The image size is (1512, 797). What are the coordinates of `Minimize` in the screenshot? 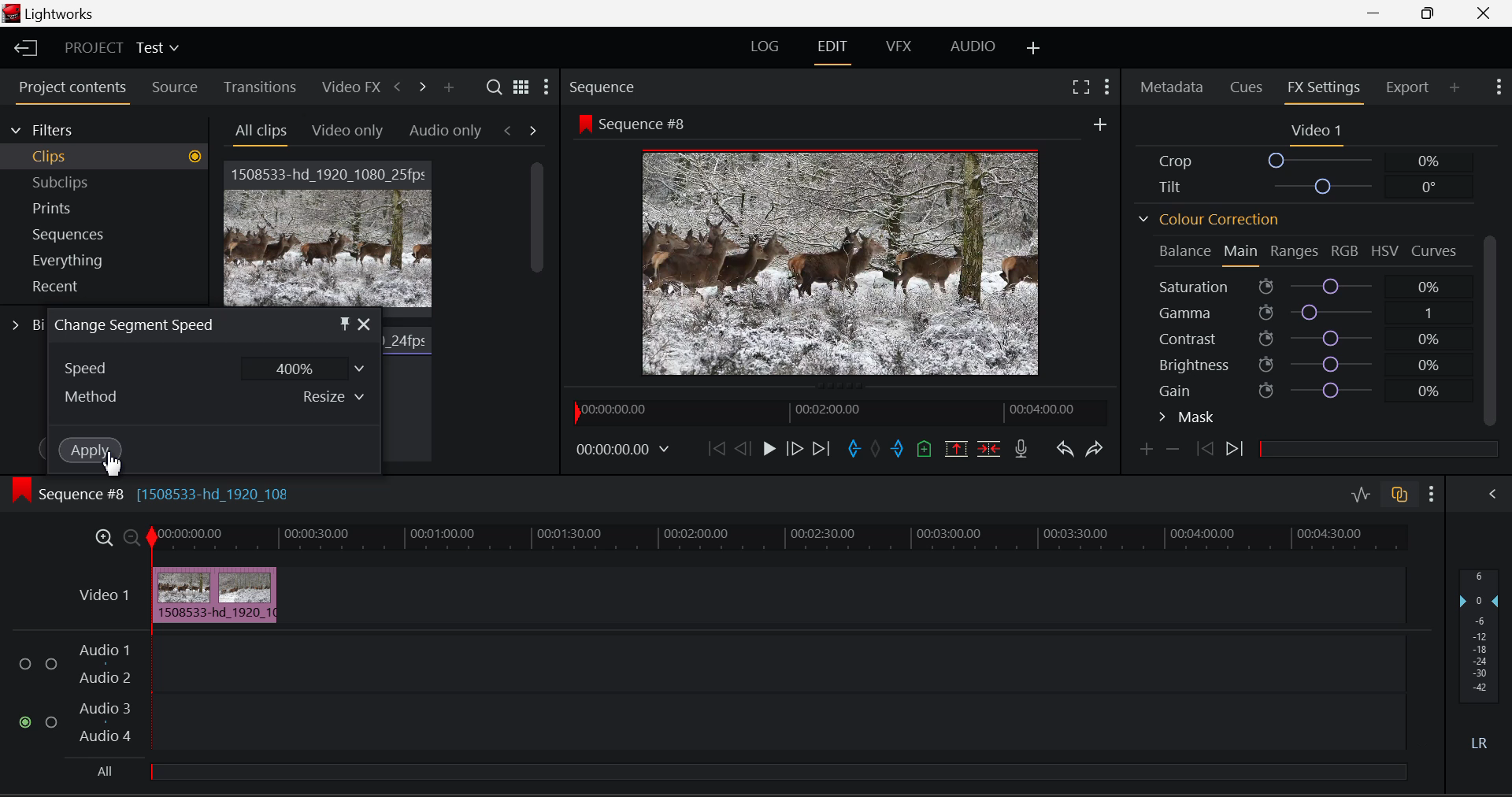 It's located at (1430, 13).